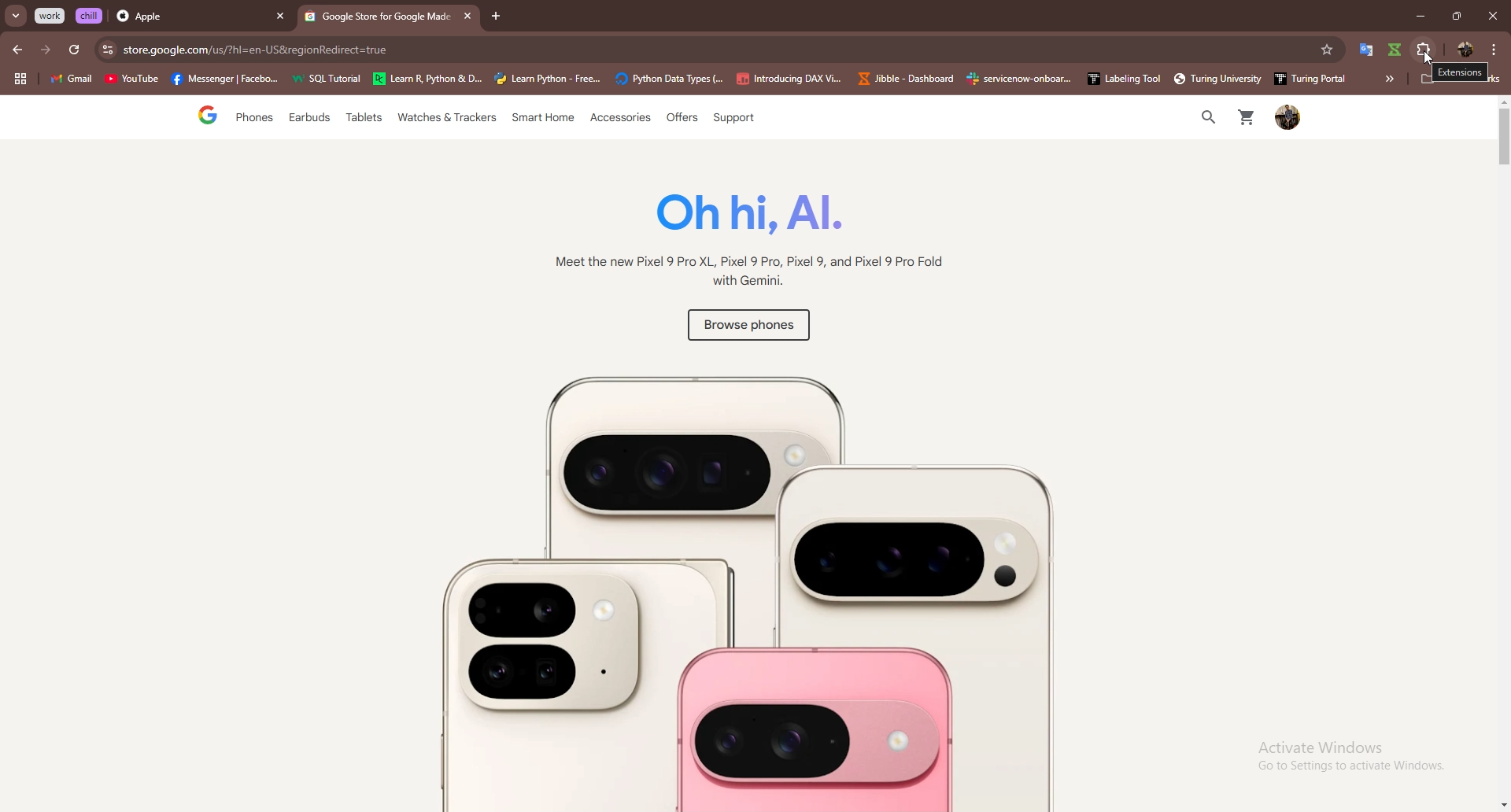 Image resolution: width=1511 pixels, height=812 pixels. Describe the element at coordinates (544, 119) in the screenshot. I see `‘Smart Home` at that location.